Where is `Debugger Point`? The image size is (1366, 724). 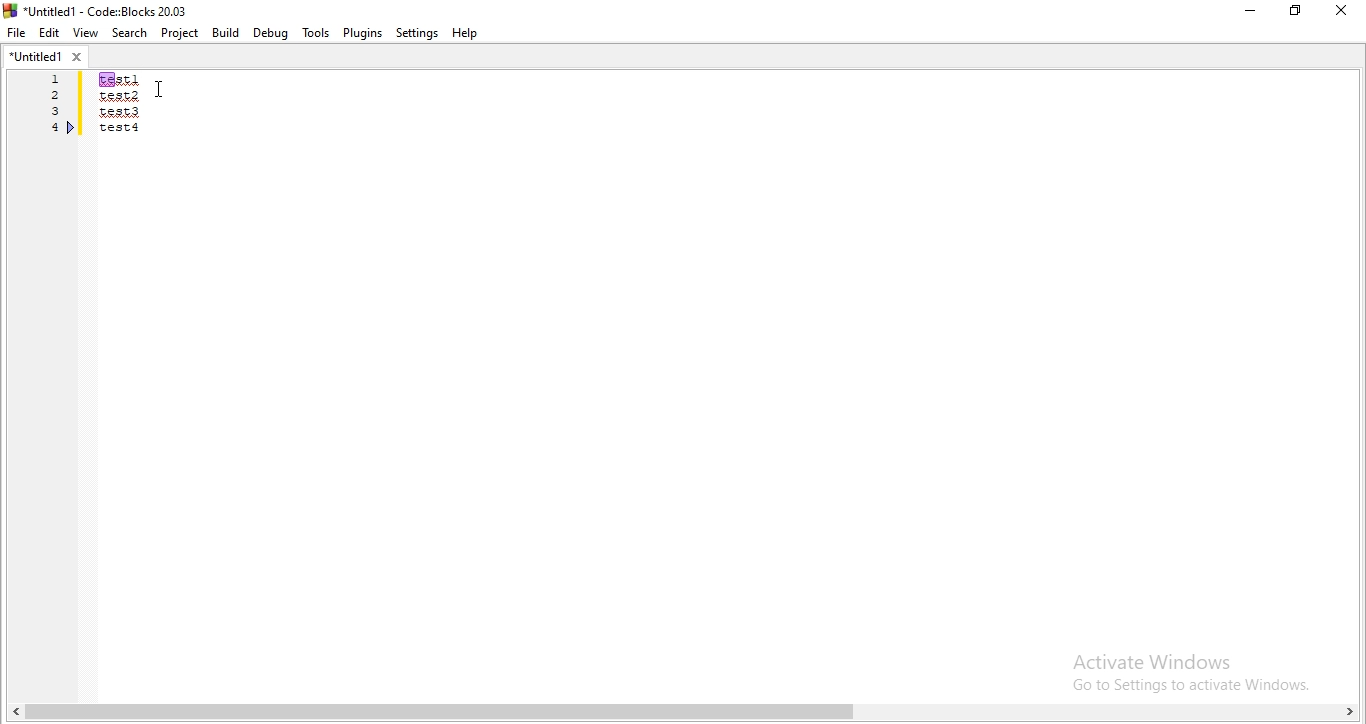 Debugger Point is located at coordinates (72, 130).